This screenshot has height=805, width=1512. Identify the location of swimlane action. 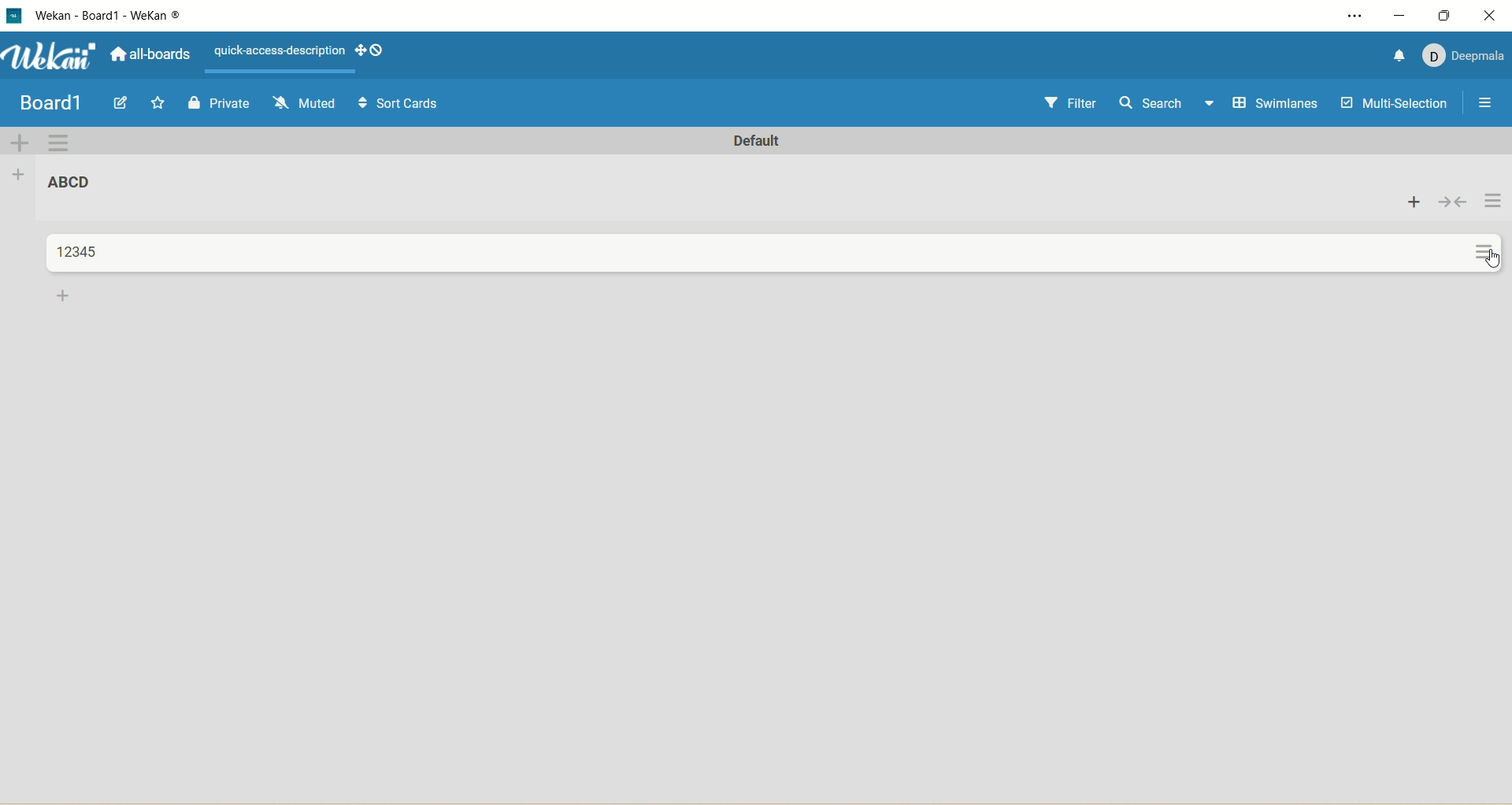
(59, 143).